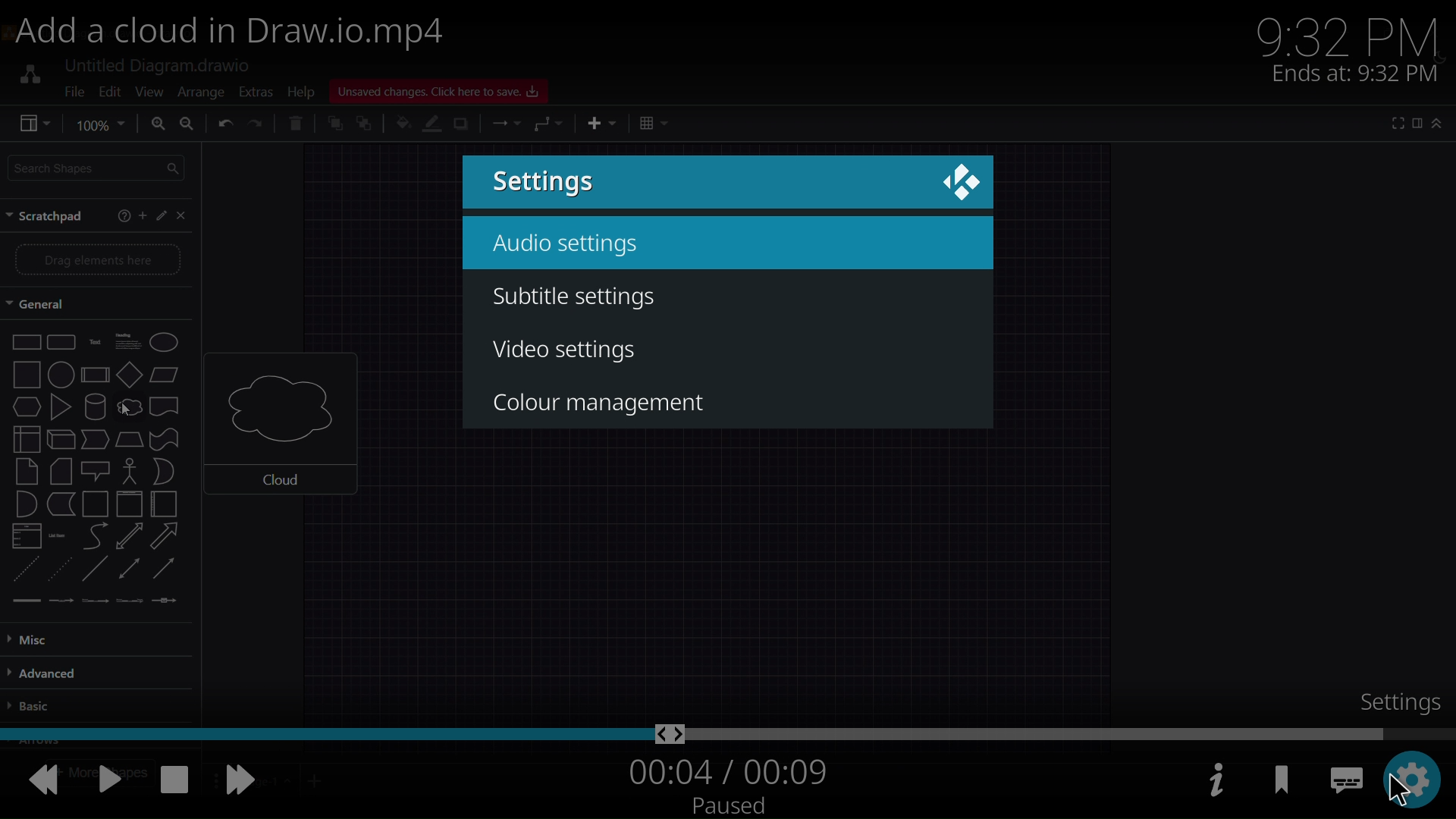  What do you see at coordinates (1415, 780) in the screenshot?
I see `setting` at bounding box center [1415, 780].